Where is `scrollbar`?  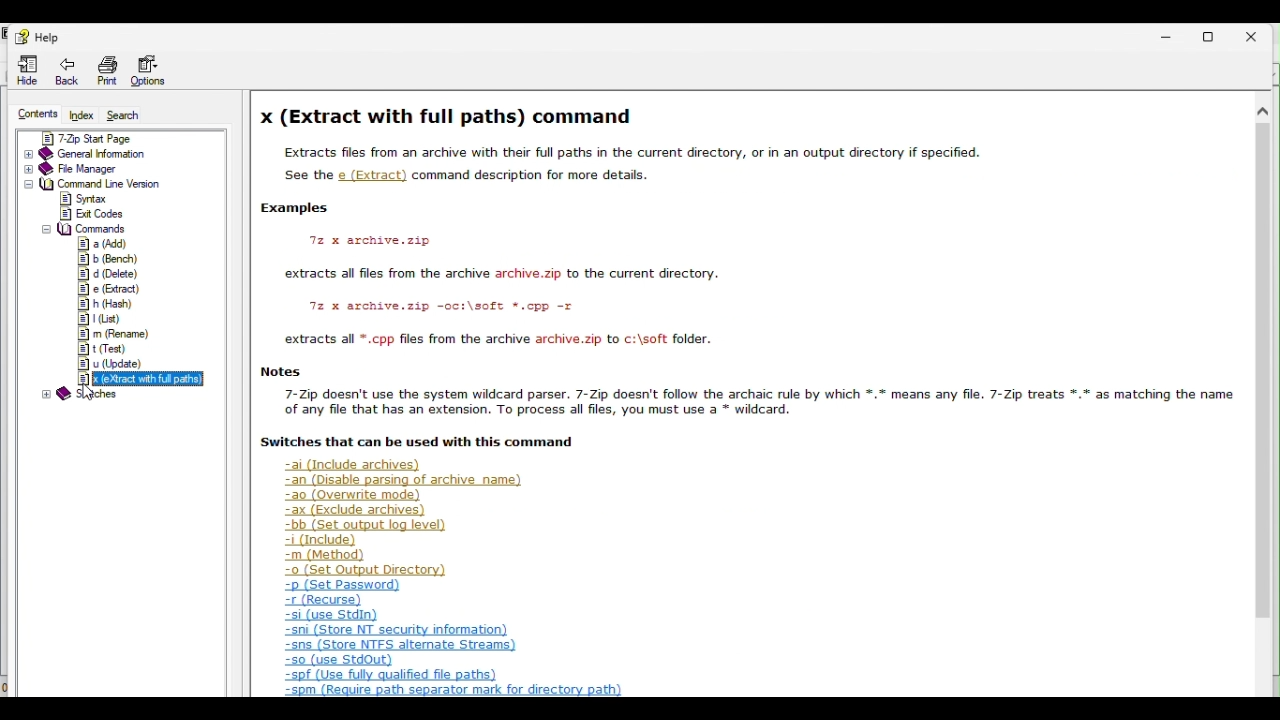
scrollbar is located at coordinates (1265, 376).